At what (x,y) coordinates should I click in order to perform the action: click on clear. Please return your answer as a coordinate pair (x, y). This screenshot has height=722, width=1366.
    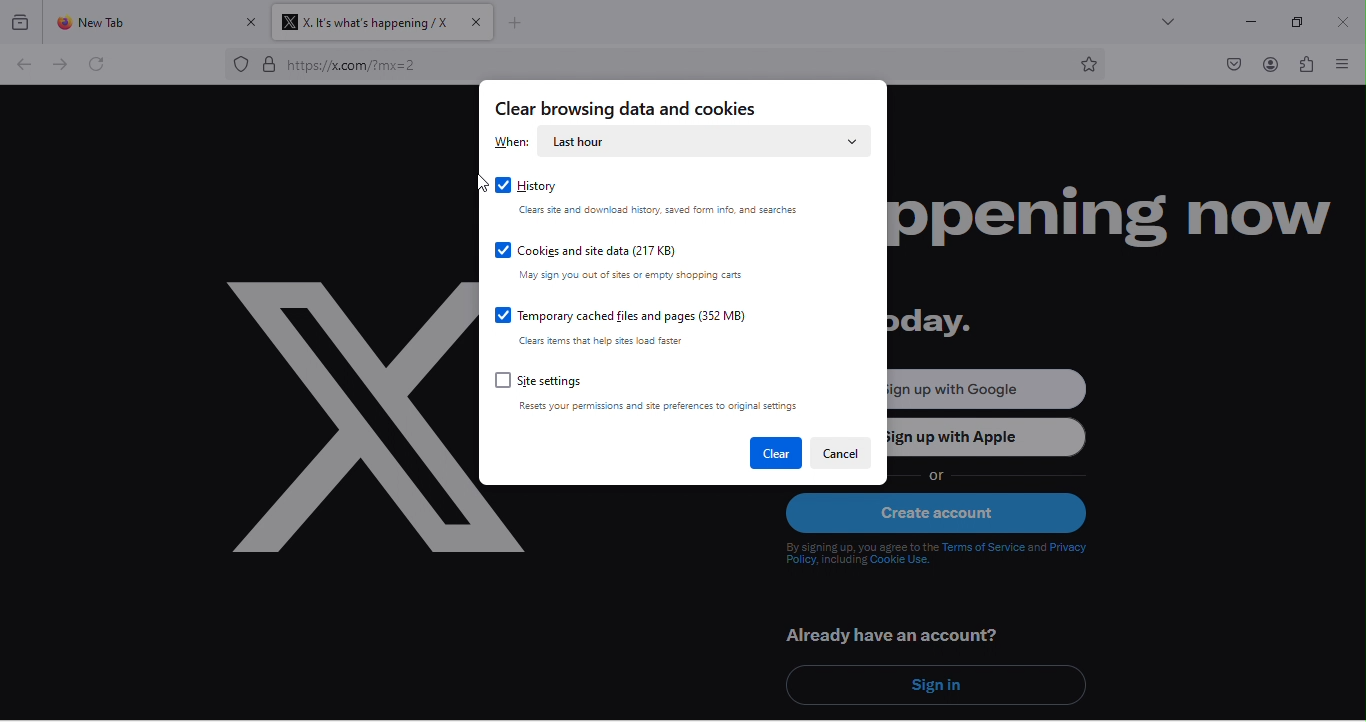
    Looking at the image, I should click on (773, 454).